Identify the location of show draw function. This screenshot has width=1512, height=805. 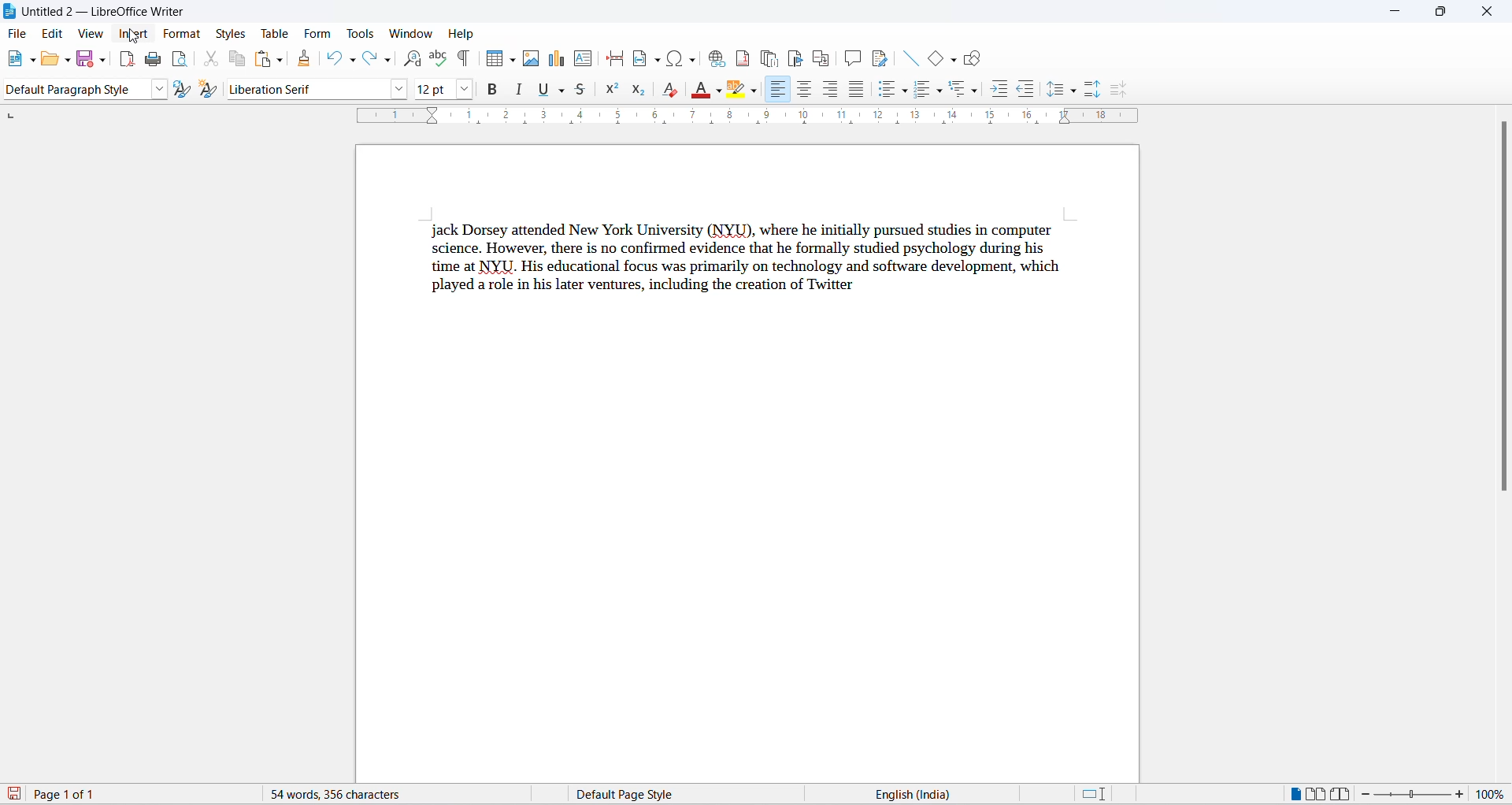
(973, 61).